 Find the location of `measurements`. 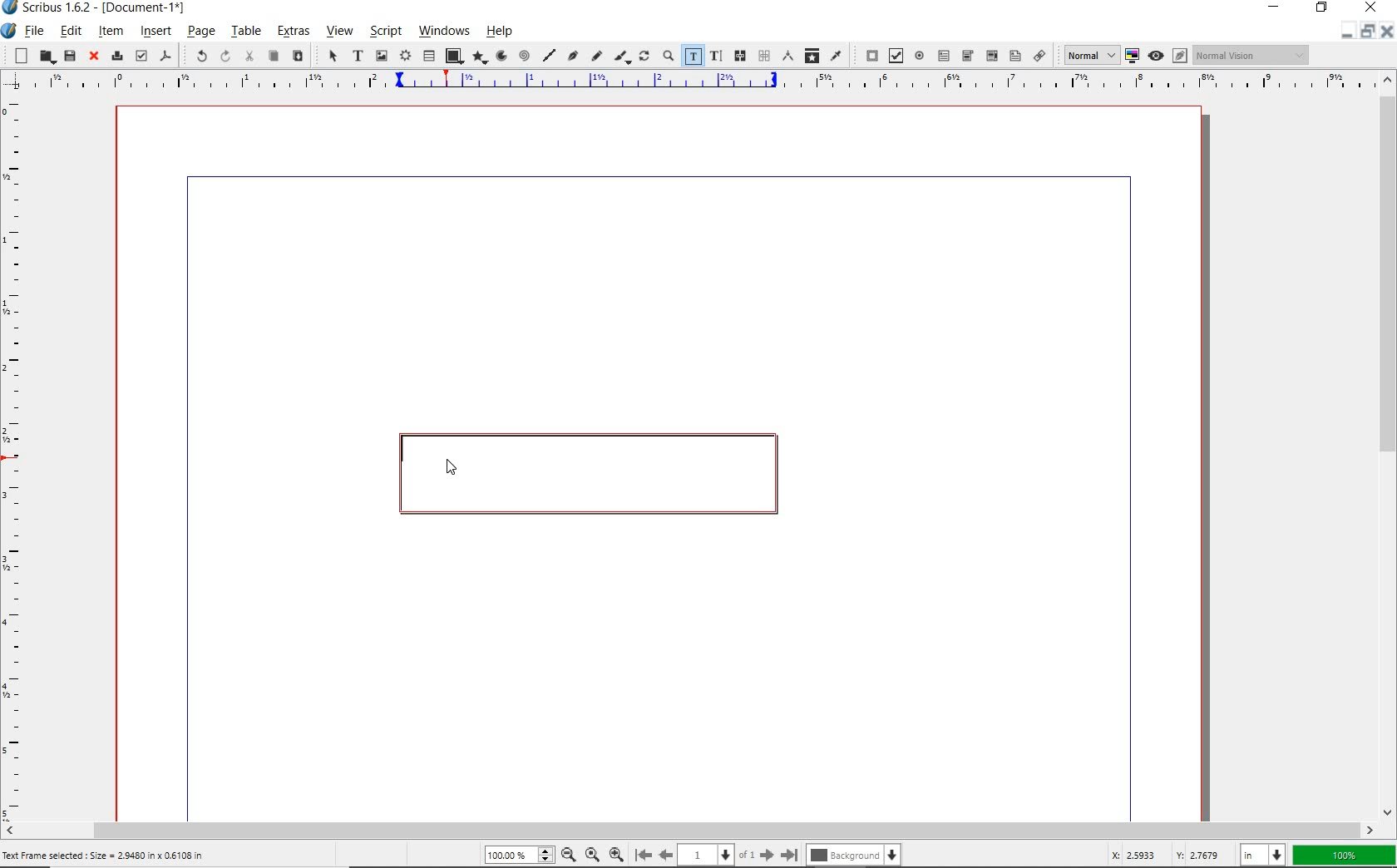

measurements is located at coordinates (787, 57).